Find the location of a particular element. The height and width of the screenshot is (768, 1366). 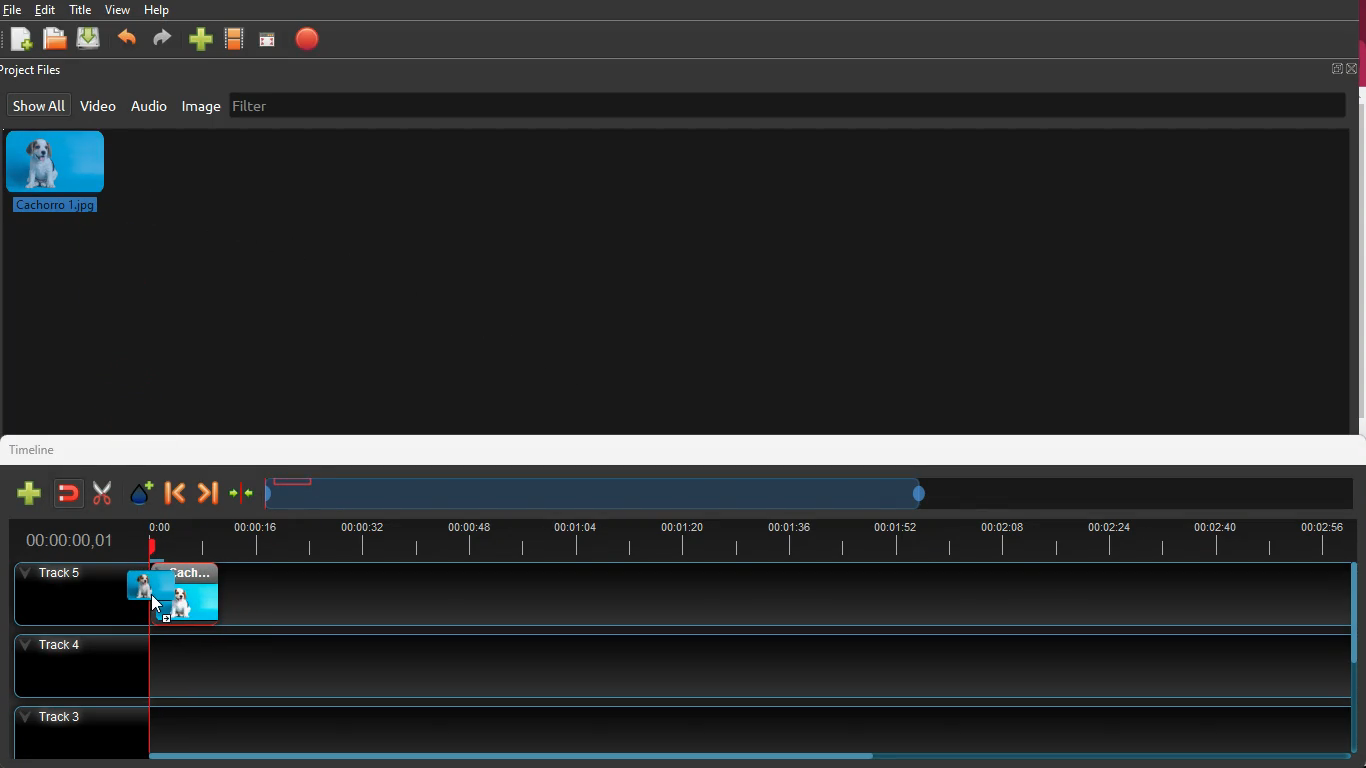

track is located at coordinates (785, 595).